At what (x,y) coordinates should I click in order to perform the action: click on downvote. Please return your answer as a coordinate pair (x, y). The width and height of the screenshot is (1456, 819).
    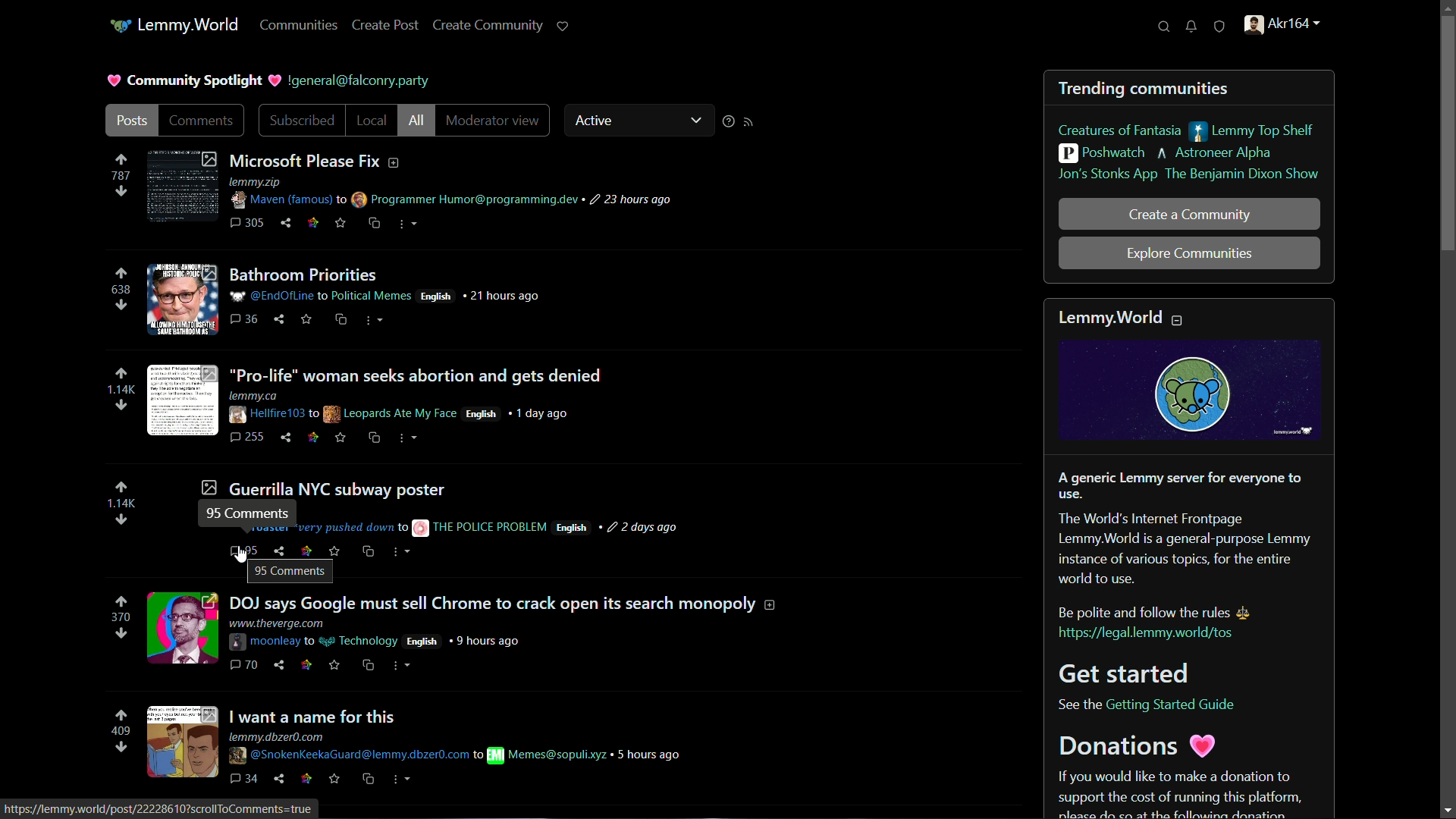
    Looking at the image, I should click on (120, 306).